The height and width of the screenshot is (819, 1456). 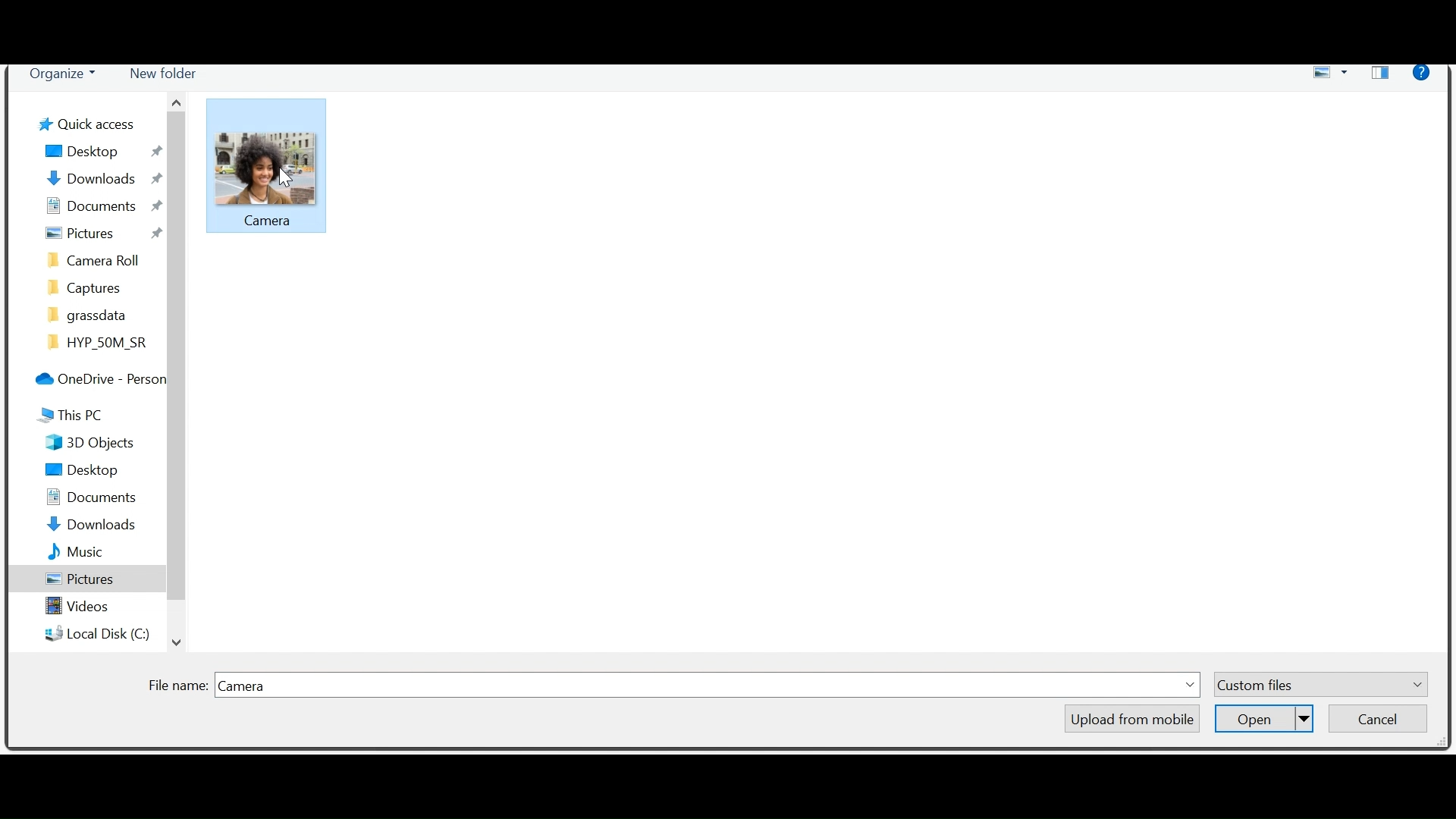 What do you see at coordinates (175, 101) in the screenshot?
I see `Scroll up` at bounding box center [175, 101].